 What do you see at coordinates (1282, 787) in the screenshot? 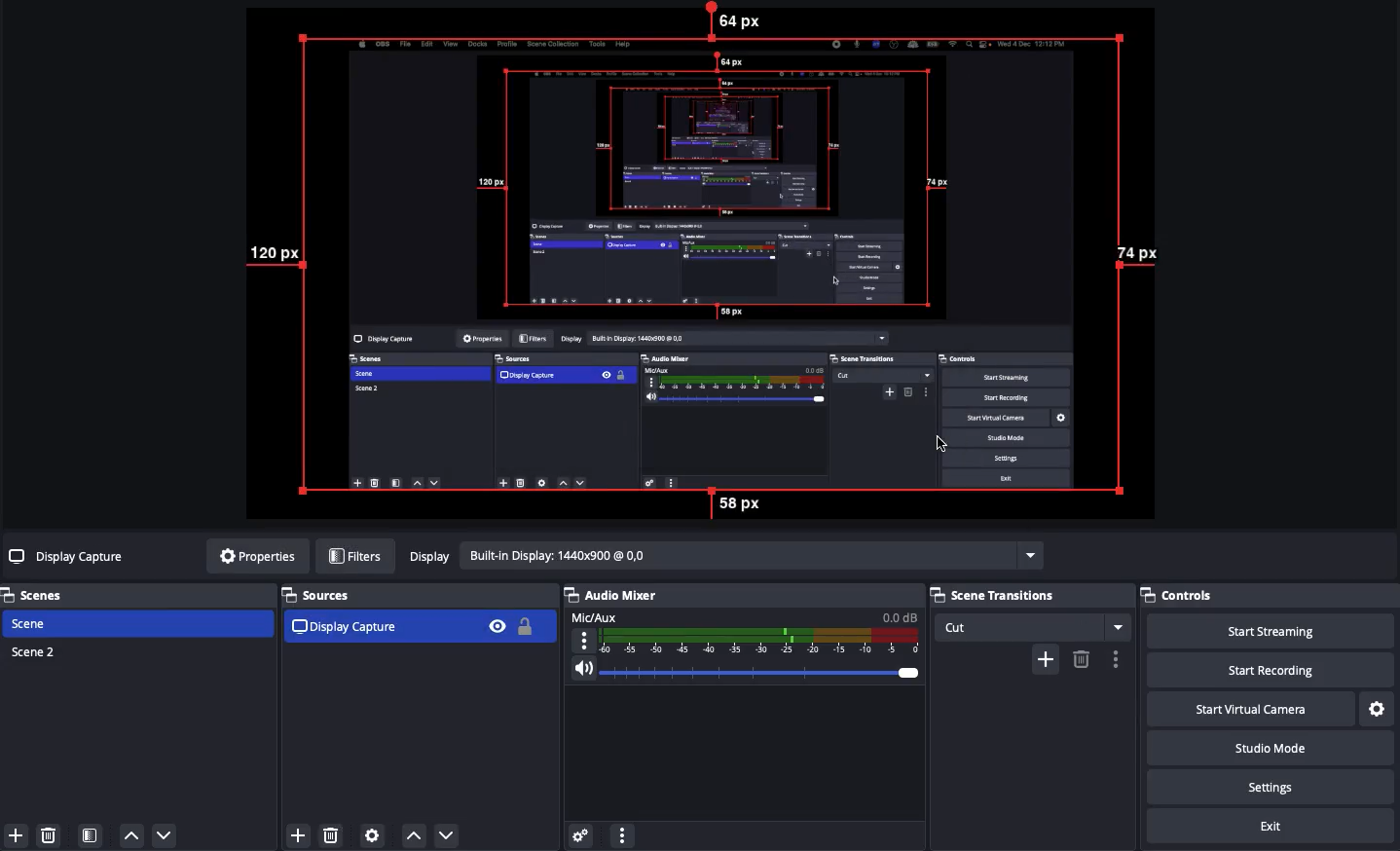
I see `Settings` at bounding box center [1282, 787].